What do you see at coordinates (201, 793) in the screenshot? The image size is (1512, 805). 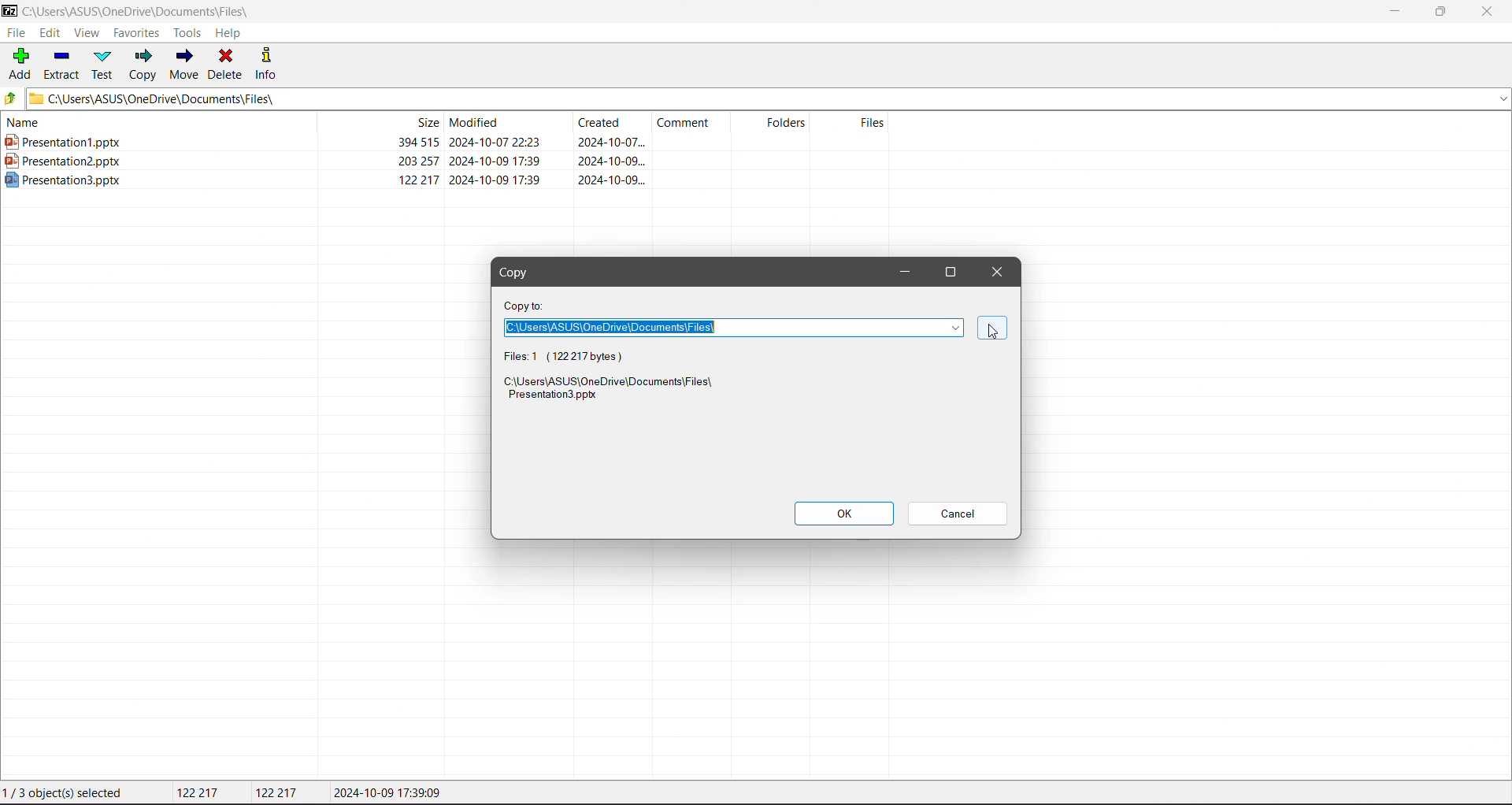 I see `Total Size of selected file(s)` at bounding box center [201, 793].